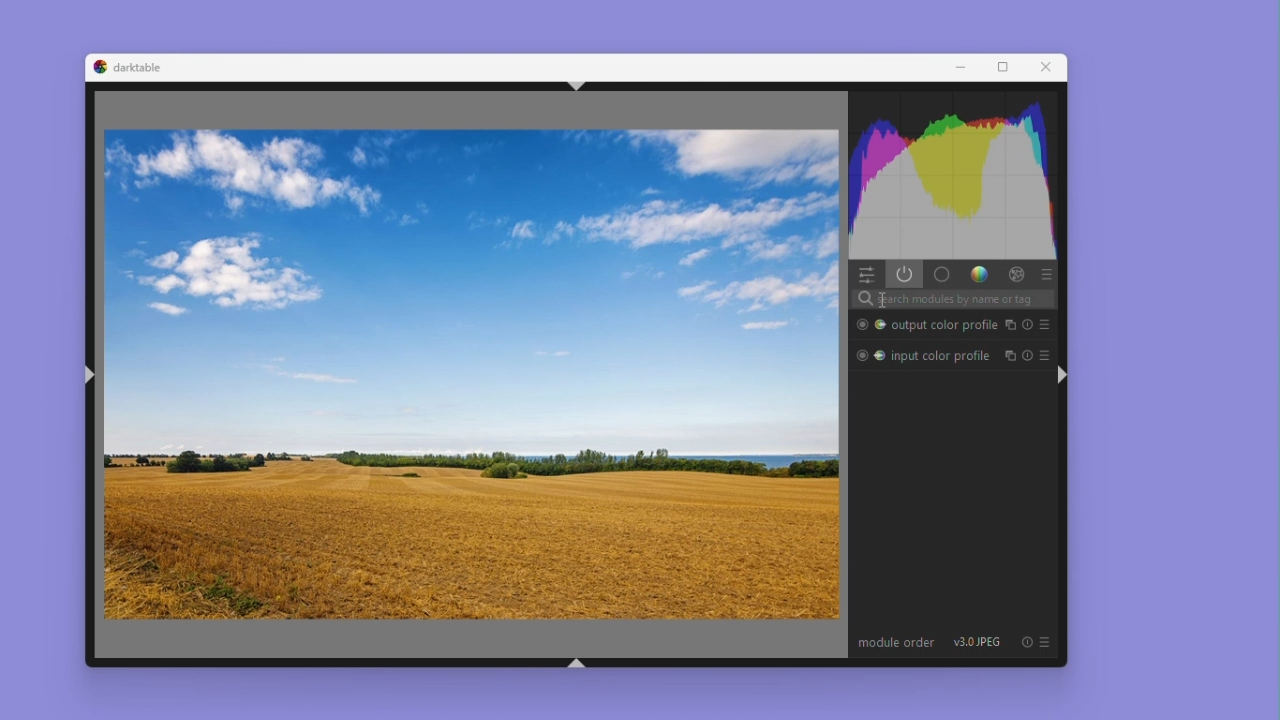 This screenshot has height=720, width=1280. Describe the element at coordinates (973, 644) in the screenshot. I see `v 3.0 JPEG` at that location.